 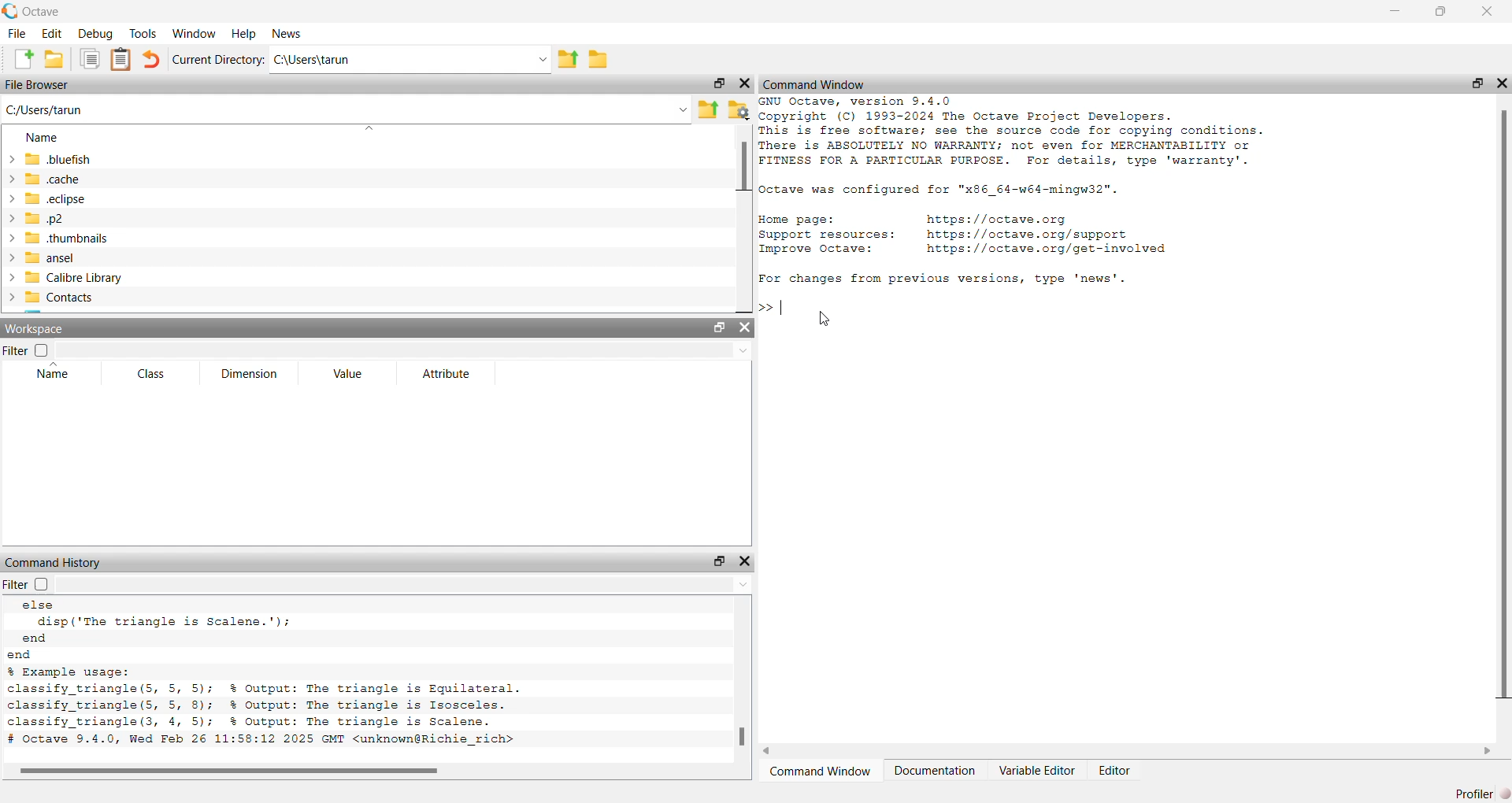 I want to click on edit, so click(x=51, y=33).